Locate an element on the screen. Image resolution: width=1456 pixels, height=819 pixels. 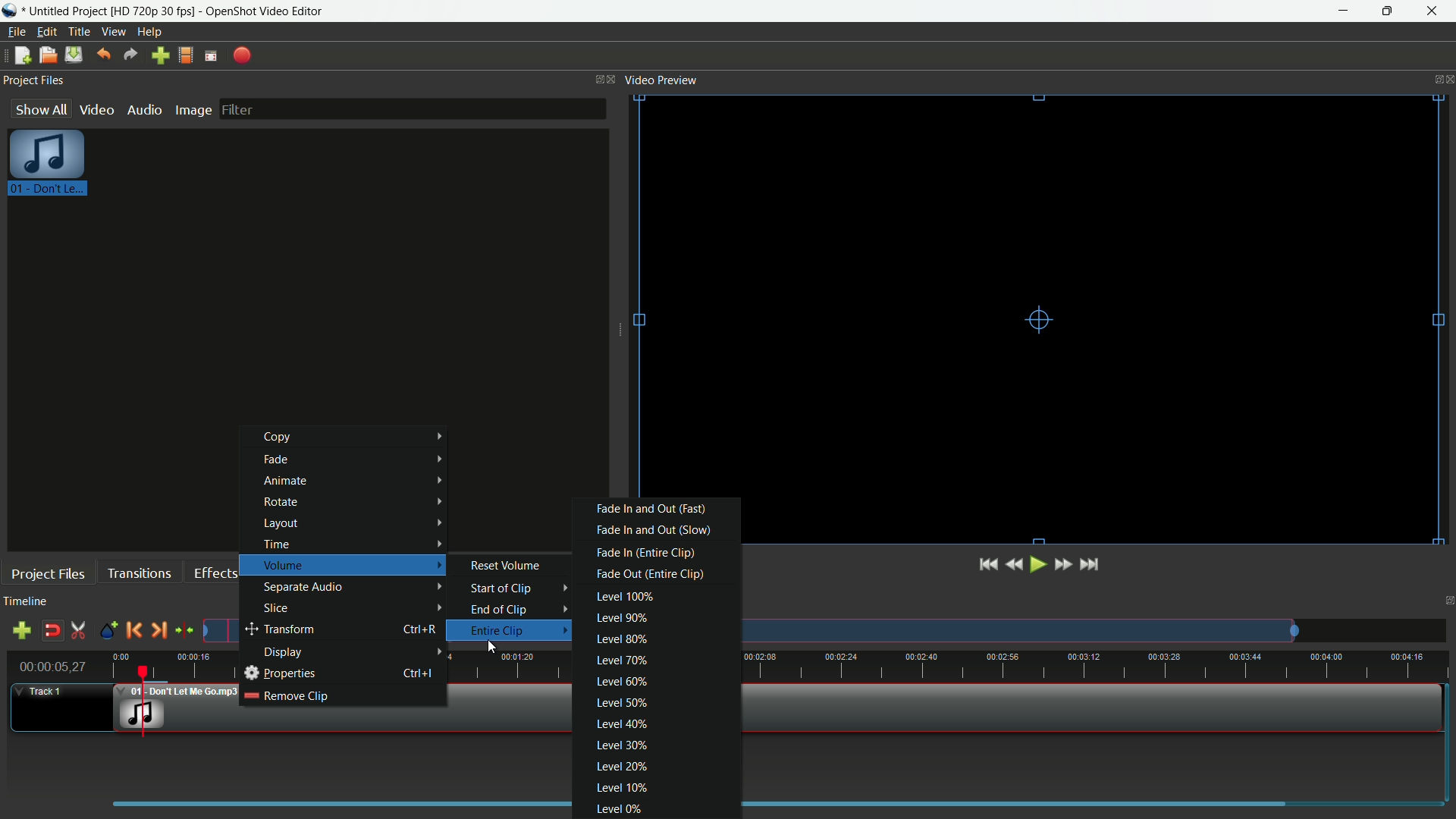
transitions is located at coordinates (140, 573).